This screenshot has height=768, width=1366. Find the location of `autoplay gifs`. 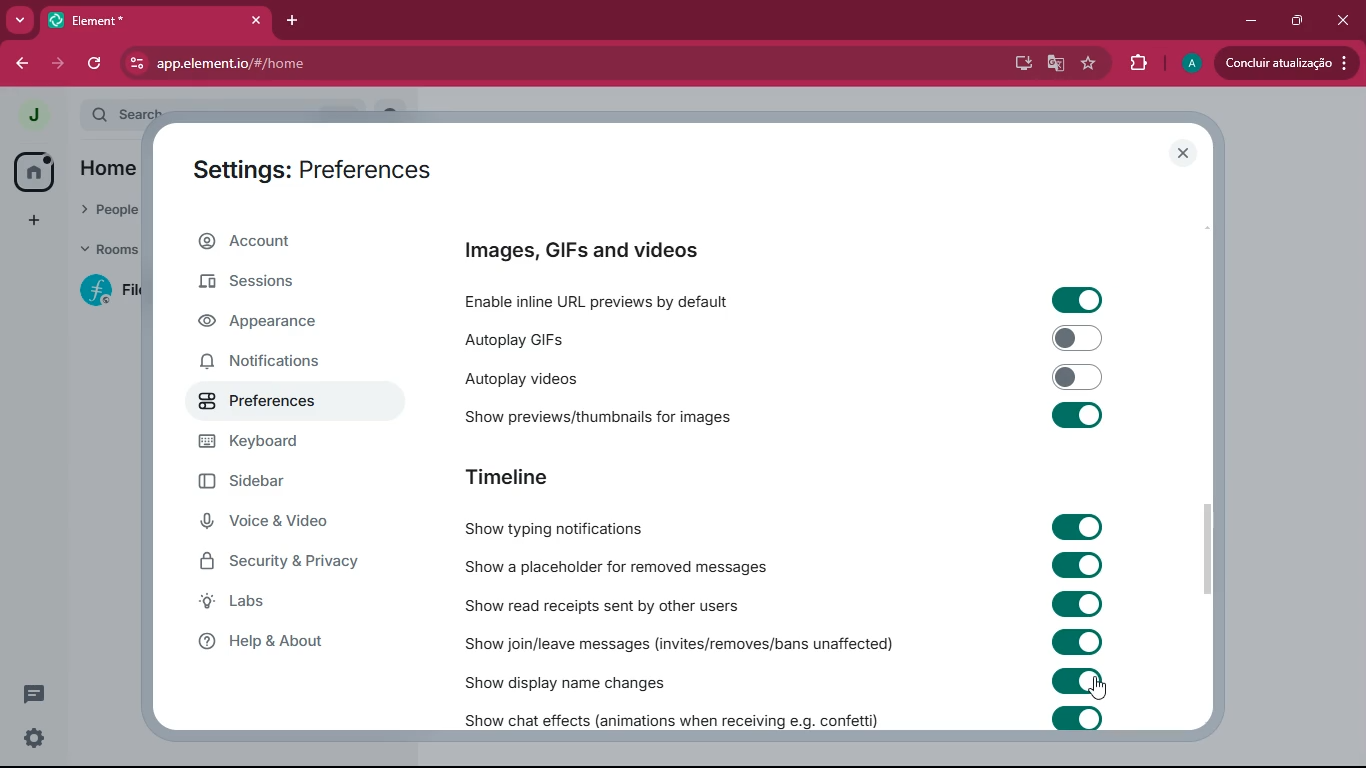

autoplay gifs is located at coordinates (587, 338).